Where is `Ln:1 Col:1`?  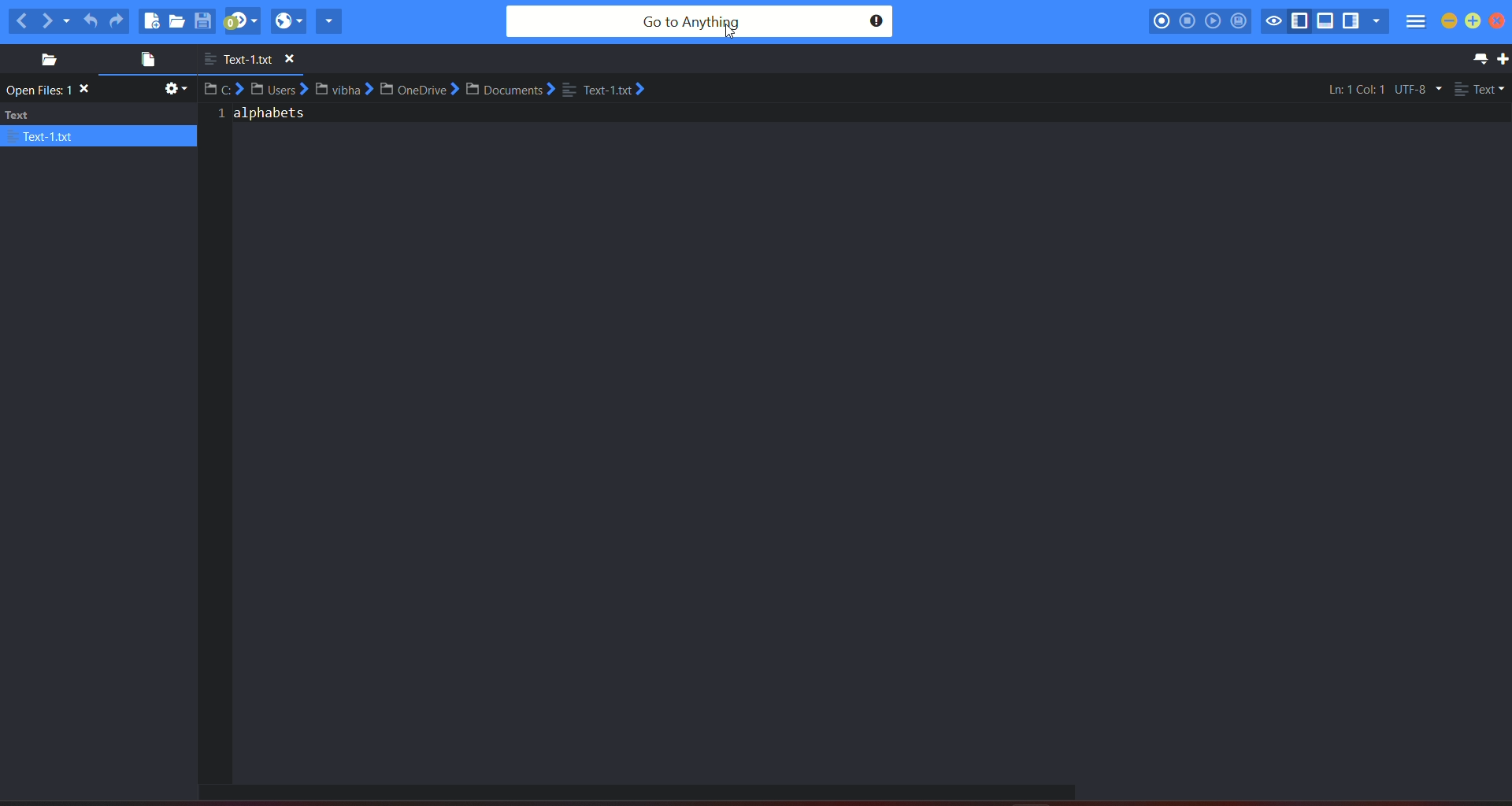 Ln:1 Col:1 is located at coordinates (1356, 88).